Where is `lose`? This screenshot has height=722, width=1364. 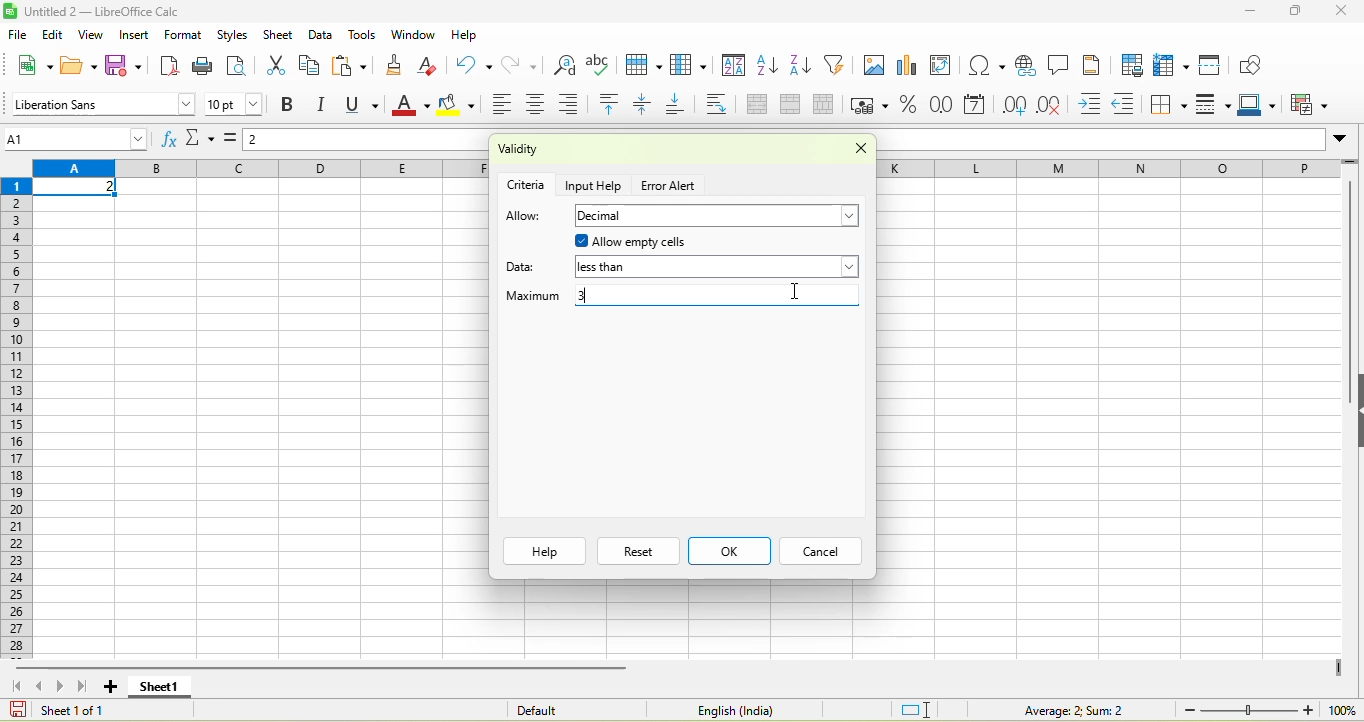 lose is located at coordinates (854, 151).